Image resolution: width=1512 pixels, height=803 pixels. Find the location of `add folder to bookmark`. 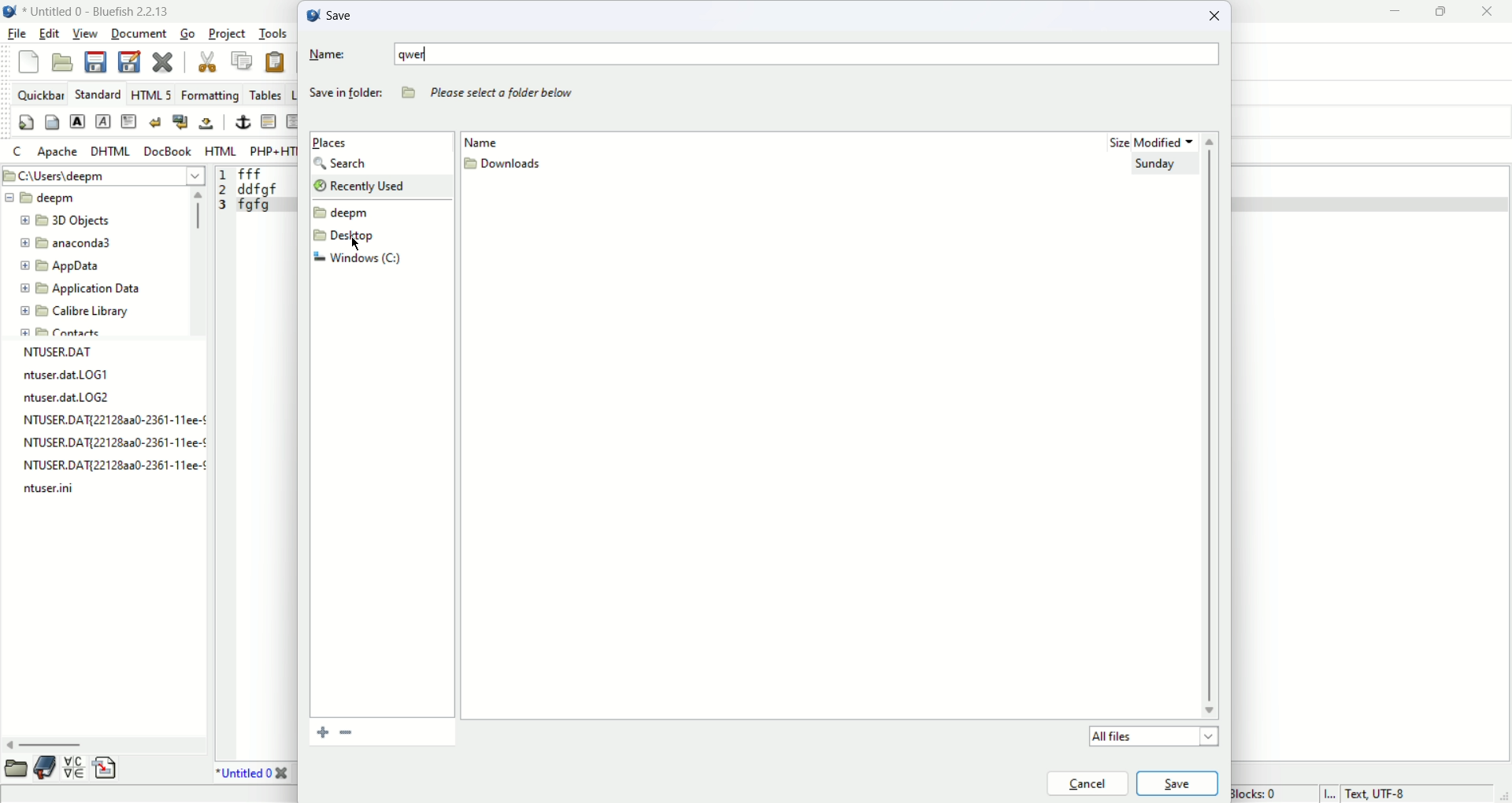

add folder to bookmark is located at coordinates (316, 732).